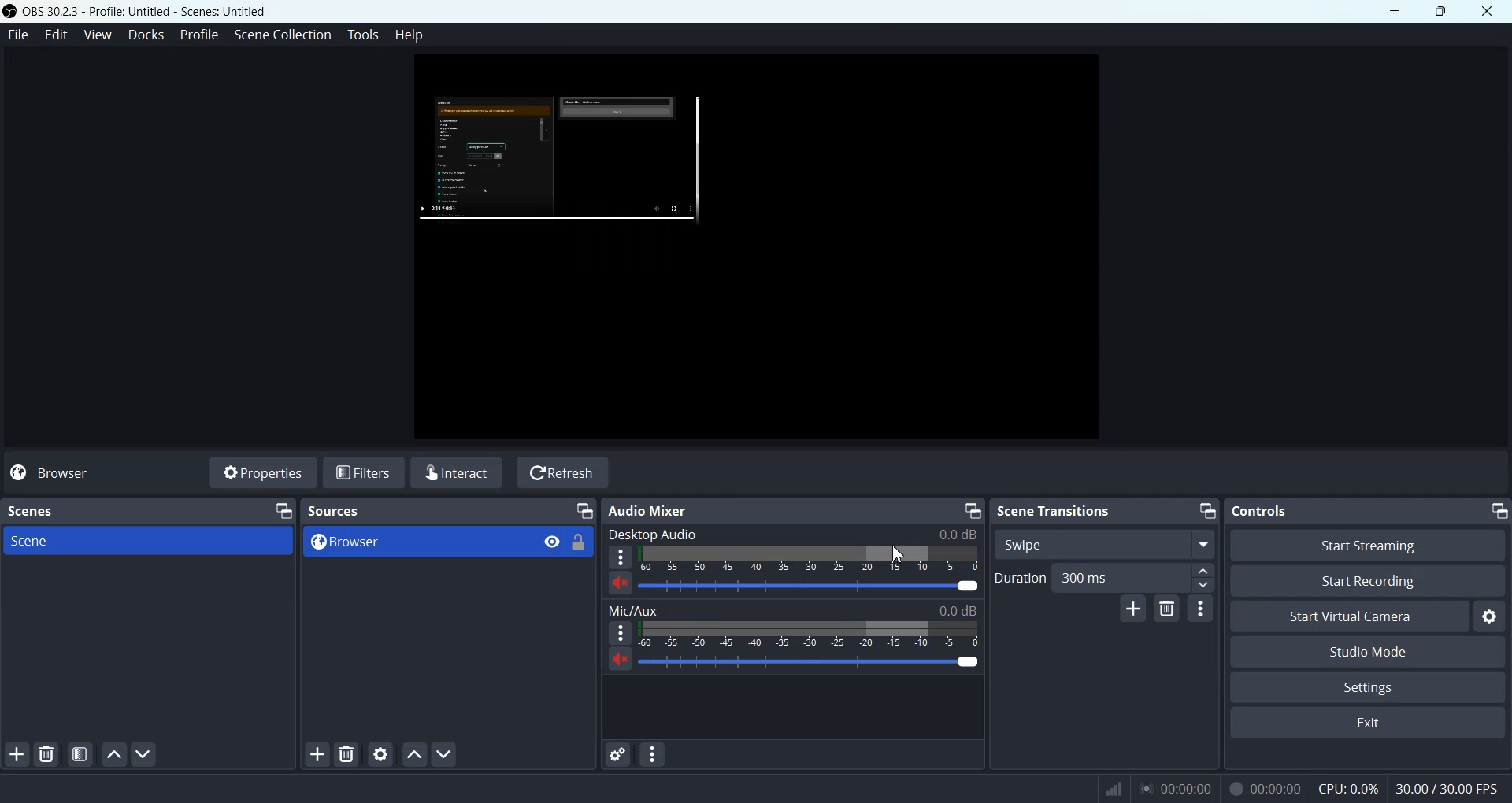  I want to click on Mute / Unmute, so click(621, 660).